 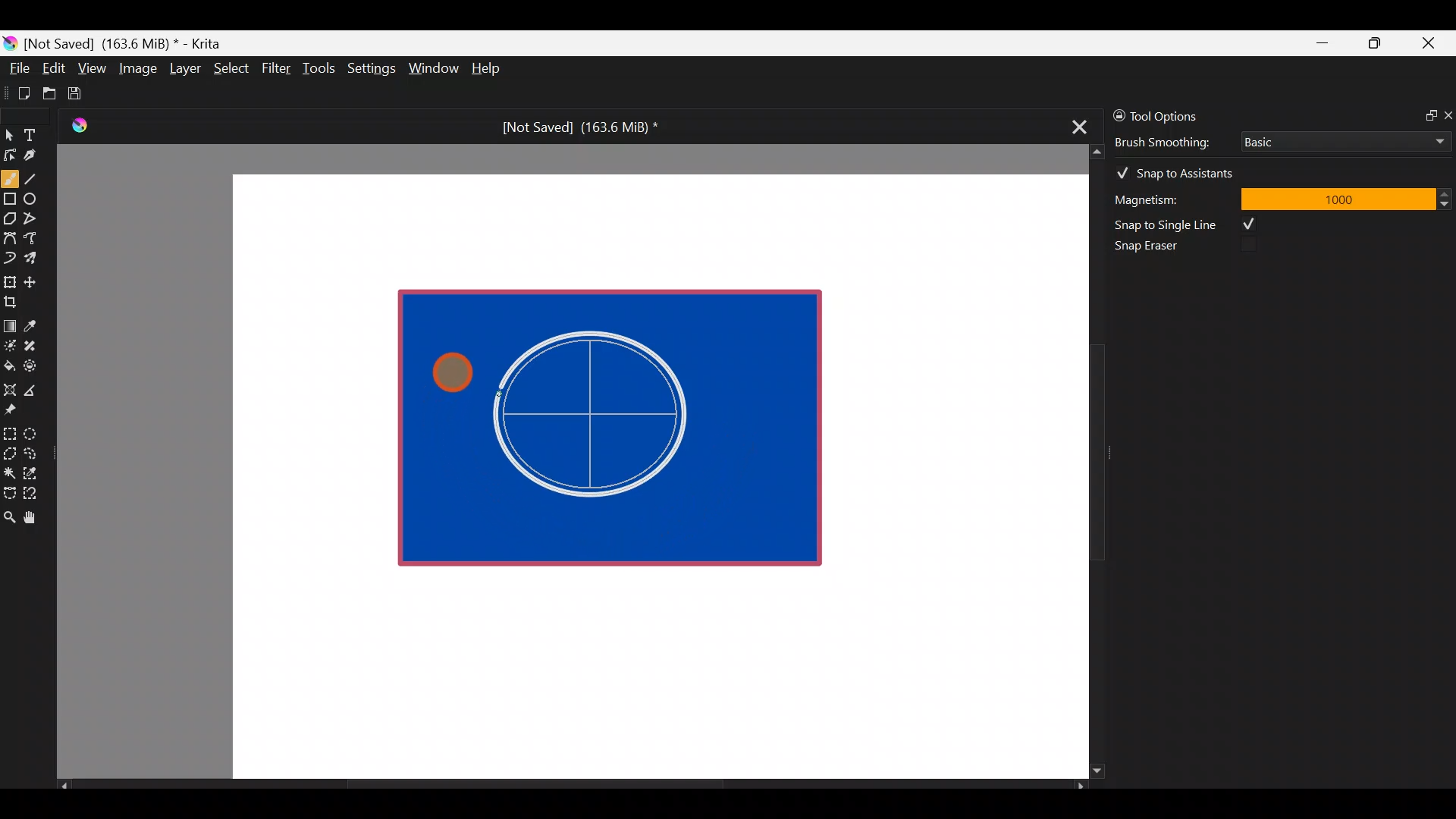 What do you see at coordinates (444, 366) in the screenshot?
I see `Cursor` at bounding box center [444, 366].